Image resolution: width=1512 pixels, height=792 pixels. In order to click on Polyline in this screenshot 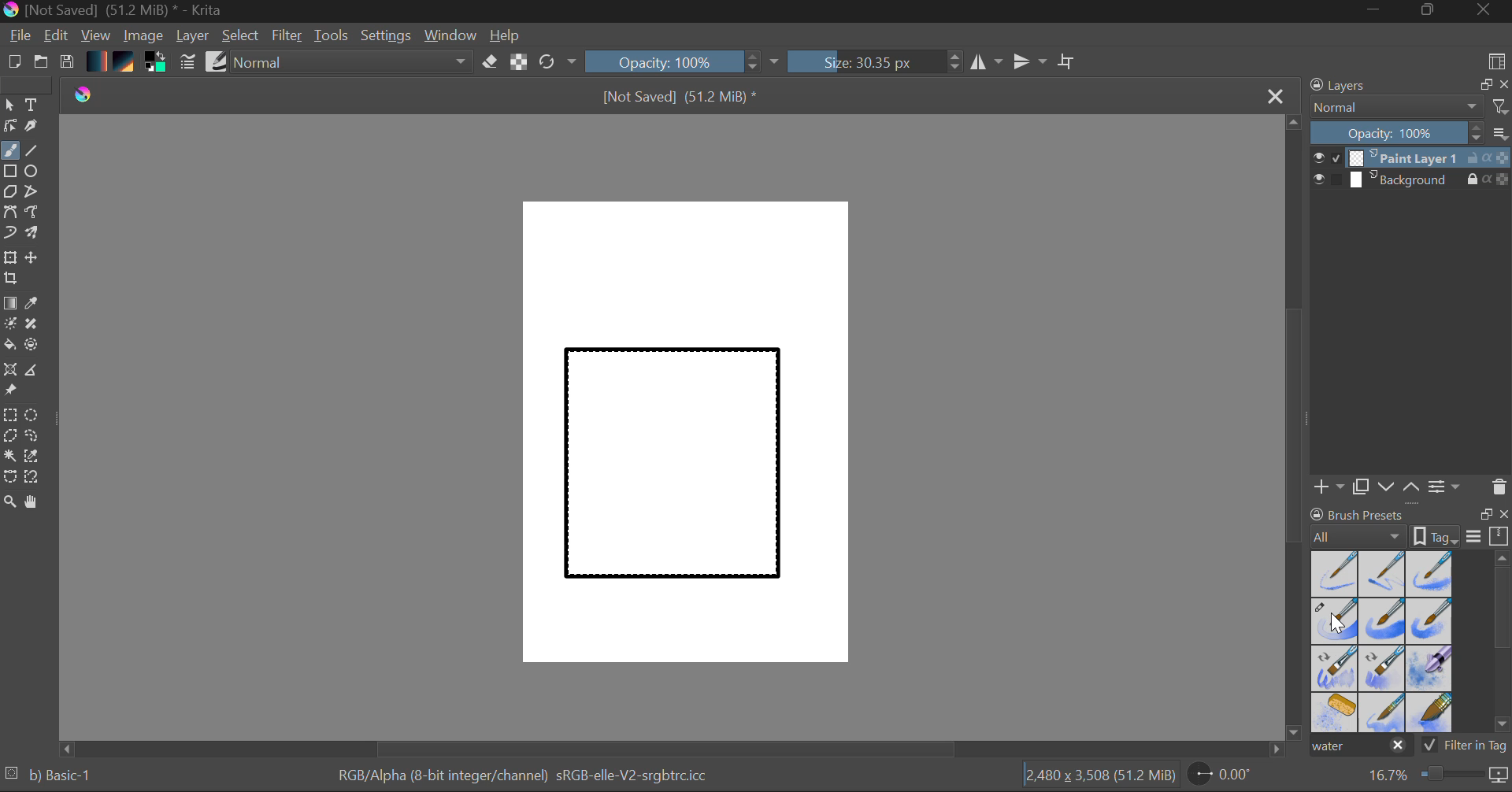, I will do `click(33, 193)`.